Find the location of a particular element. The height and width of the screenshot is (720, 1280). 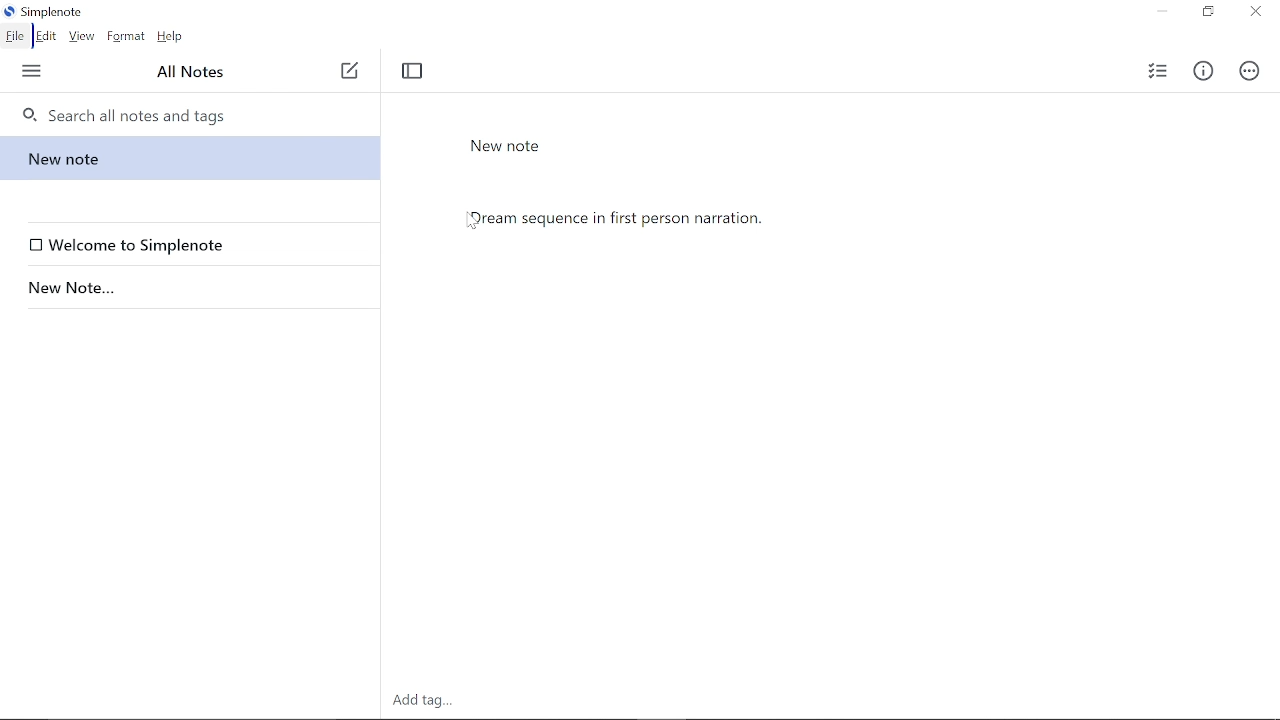

Minimize is located at coordinates (1162, 12).